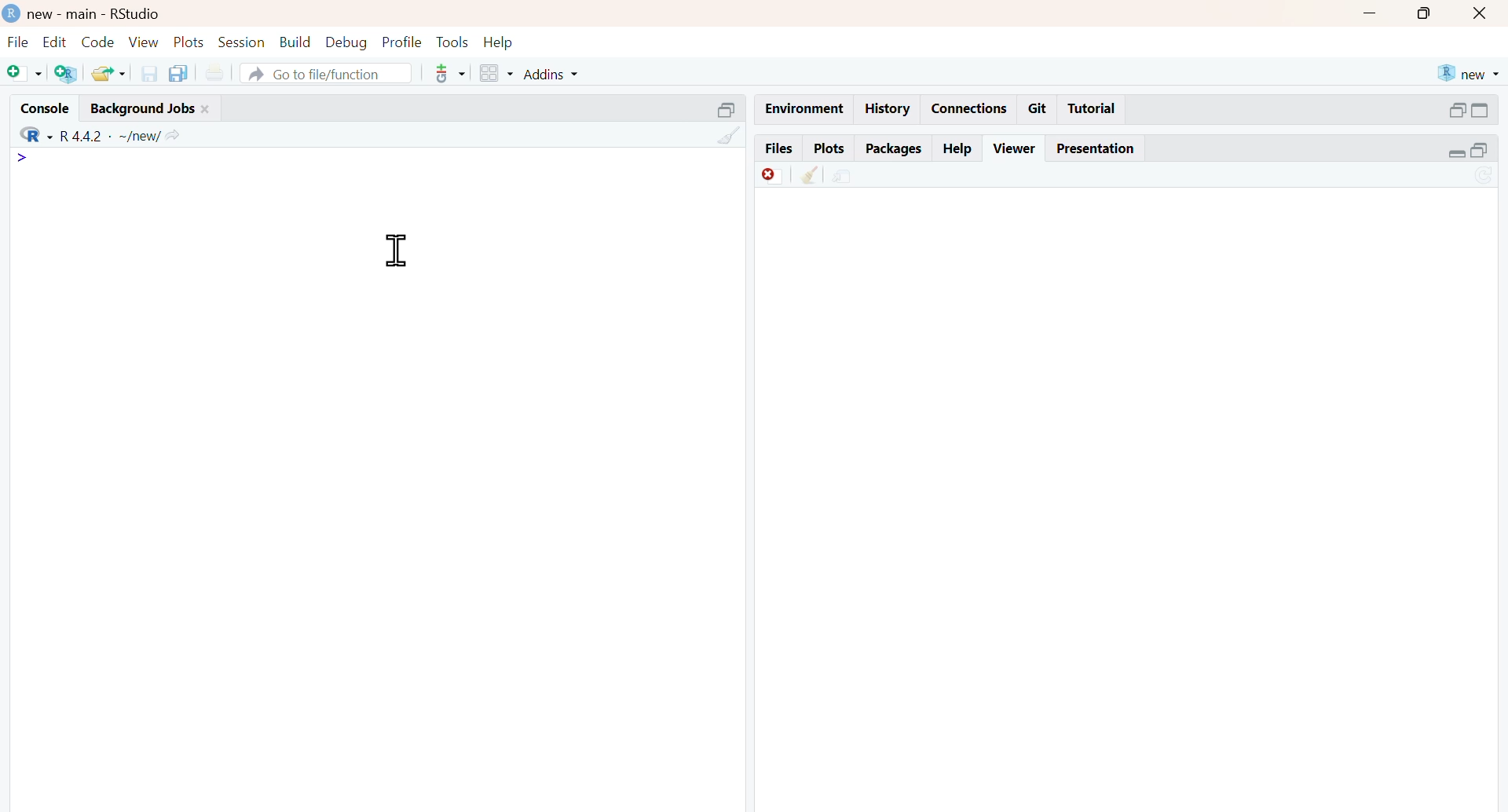 This screenshot has height=812, width=1508. What do you see at coordinates (1458, 154) in the screenshot?
I see `Collapse /expand` at bounding box center [1458, 154].